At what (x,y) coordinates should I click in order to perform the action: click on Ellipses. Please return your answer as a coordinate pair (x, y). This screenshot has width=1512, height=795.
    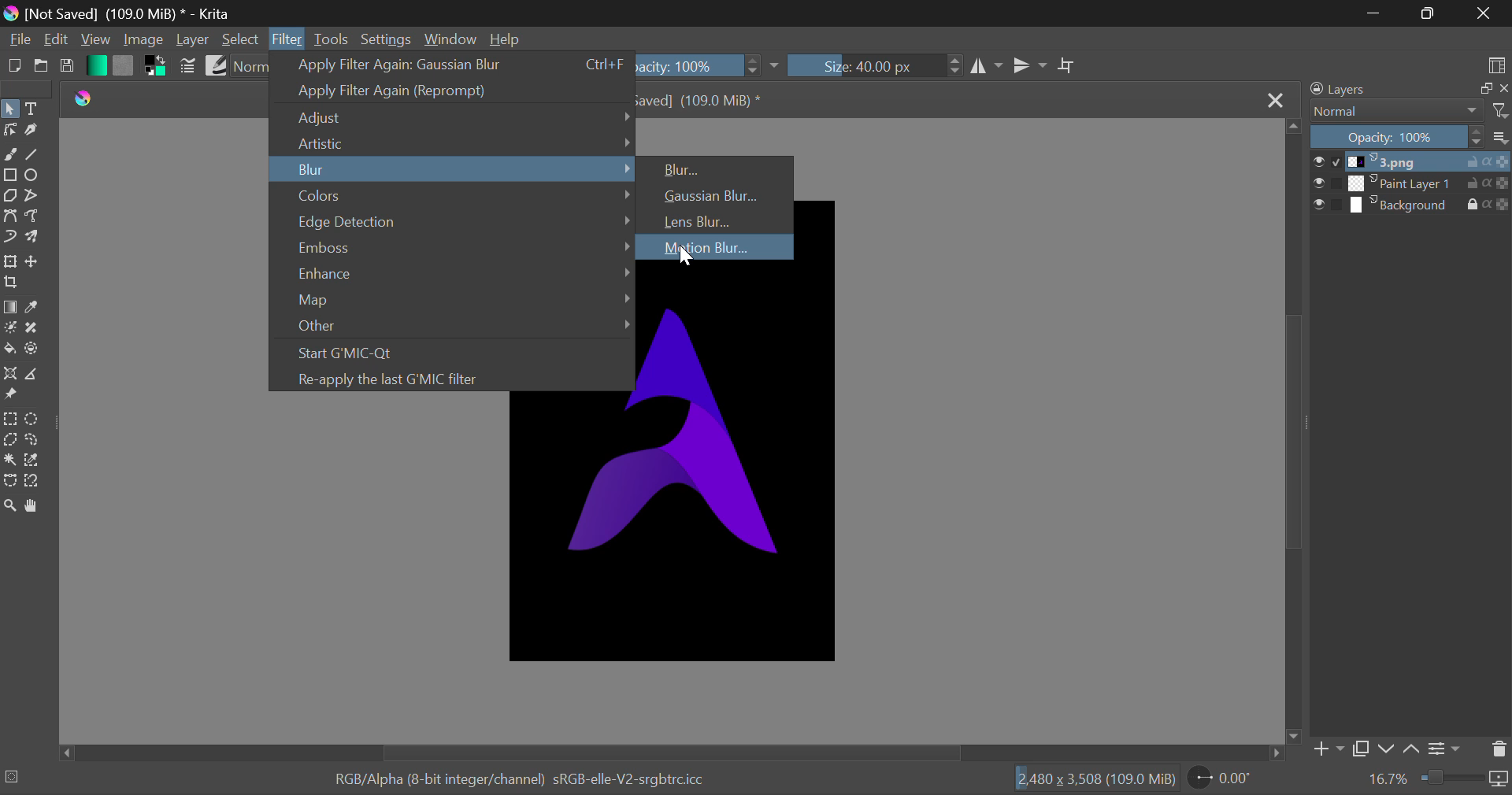
    Looking at the image, I should click on (34, 176).